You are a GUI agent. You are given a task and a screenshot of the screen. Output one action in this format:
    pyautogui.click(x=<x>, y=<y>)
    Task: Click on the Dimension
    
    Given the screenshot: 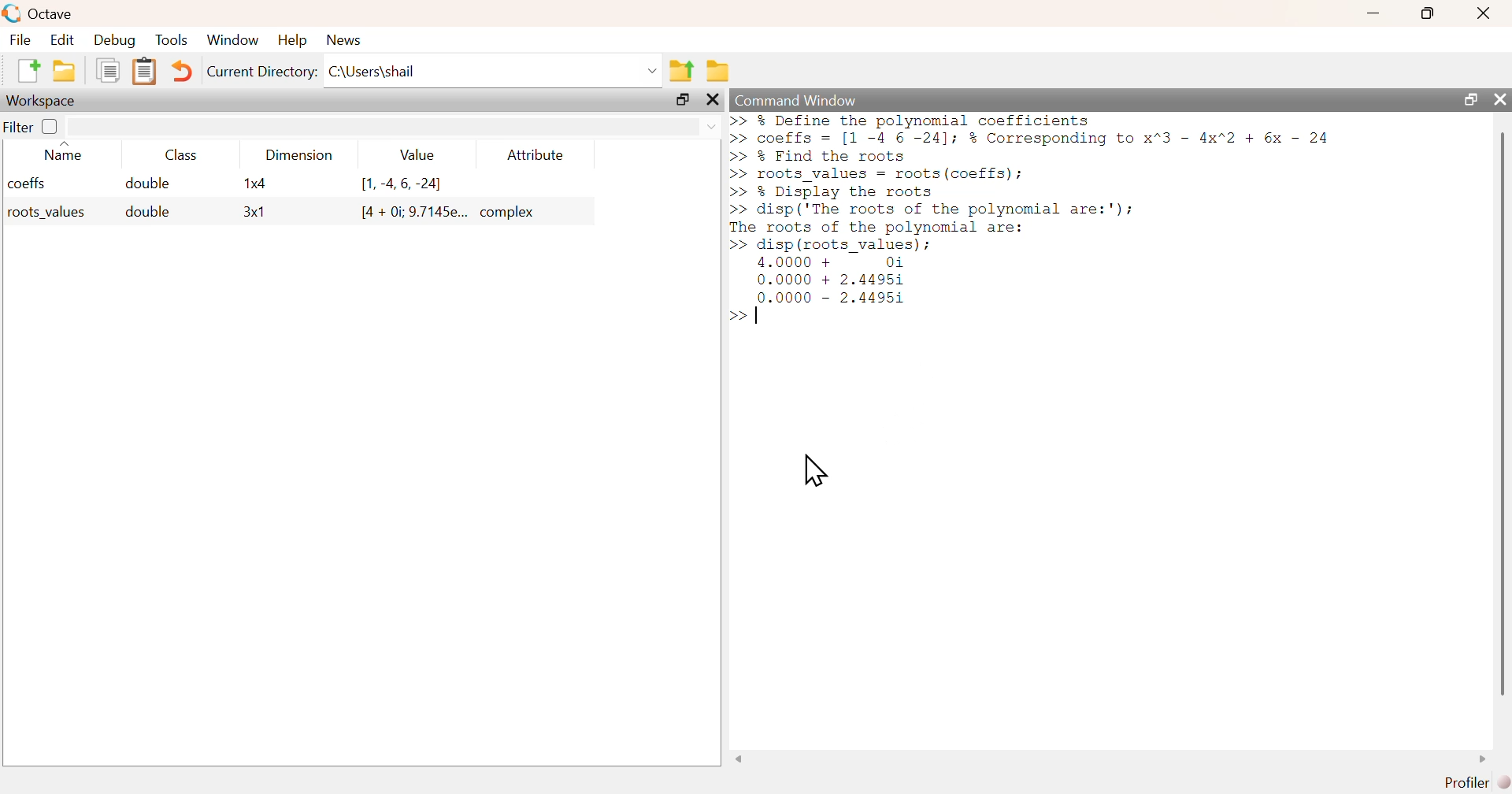 What is the action you would take?
    pyautogui.click(x=295, y=155)
    